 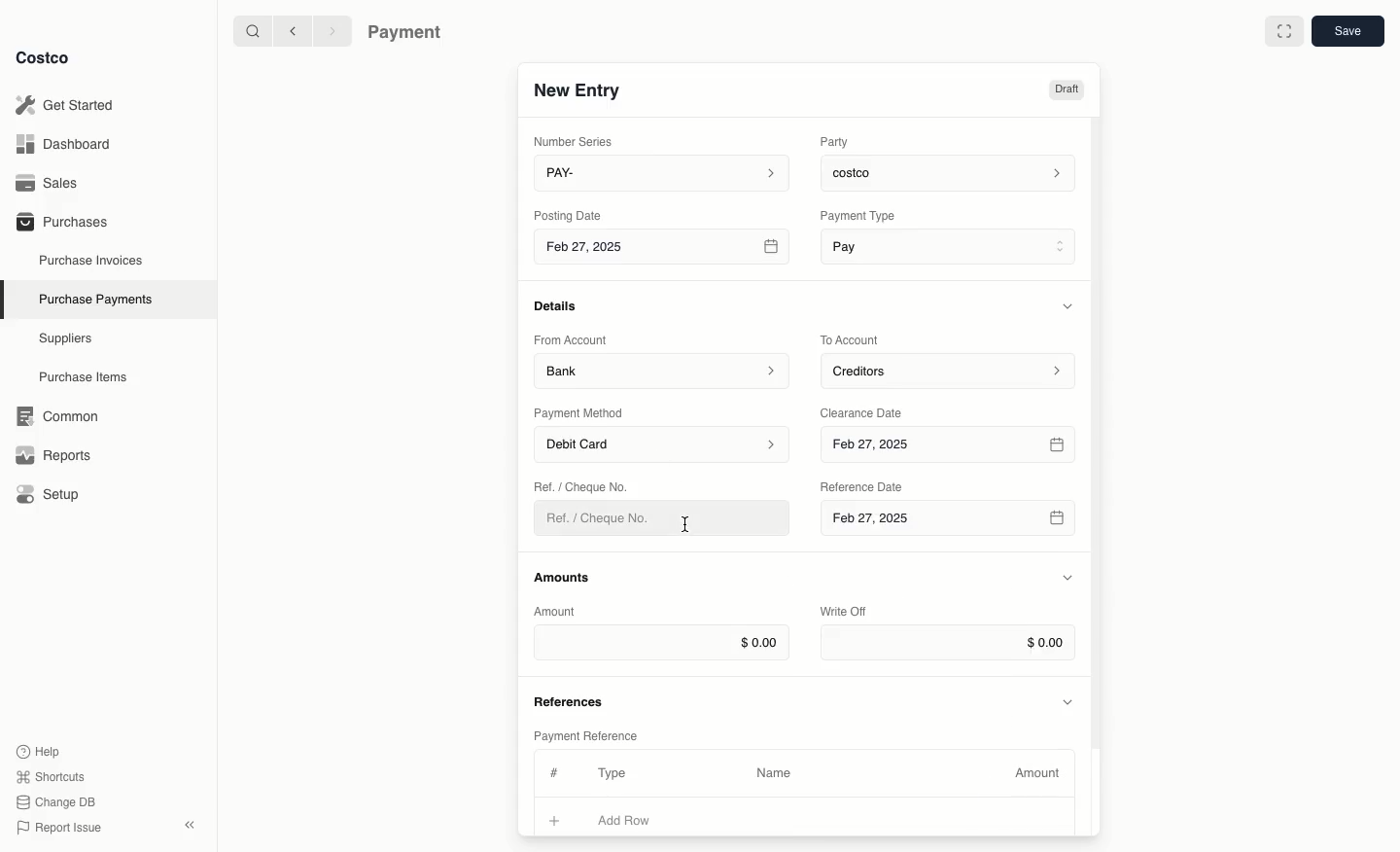 What do you see at coordinates (947, 523) in the screenshot?
I see `Feb 27, 2025` at bounding box center [947, 523].